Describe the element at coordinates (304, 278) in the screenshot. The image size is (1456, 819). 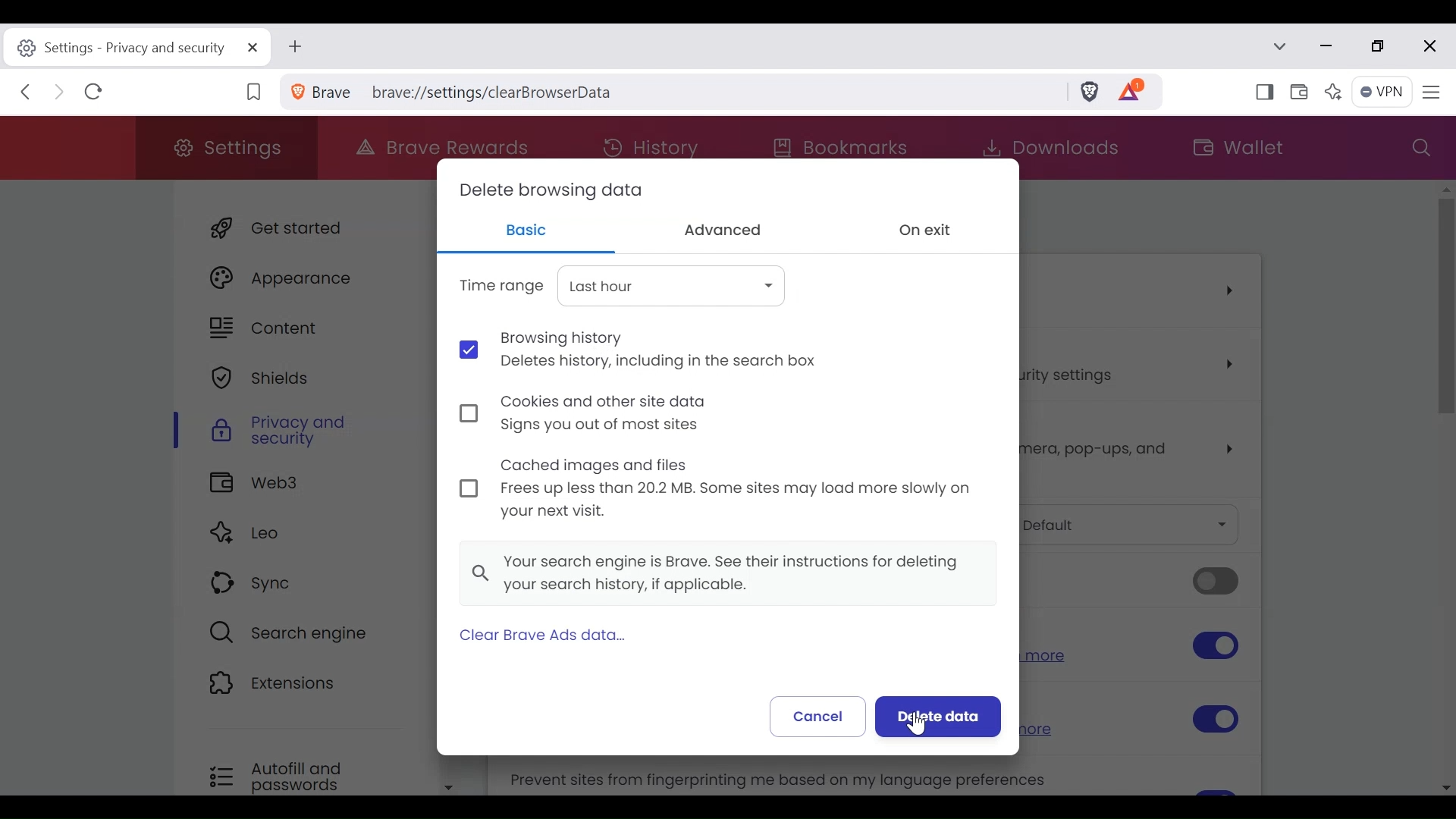
I see `Appearance` at that location.